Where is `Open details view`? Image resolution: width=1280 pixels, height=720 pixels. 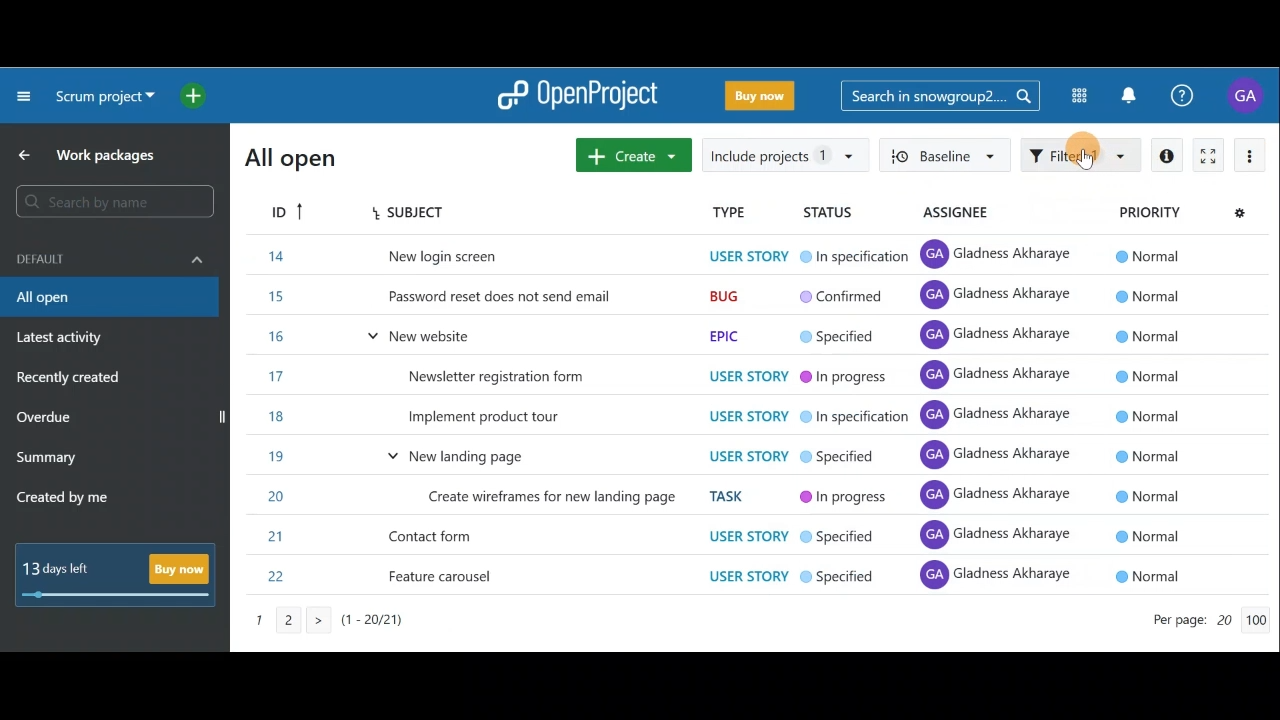 Open details view is located at coordinates (1168, 156).